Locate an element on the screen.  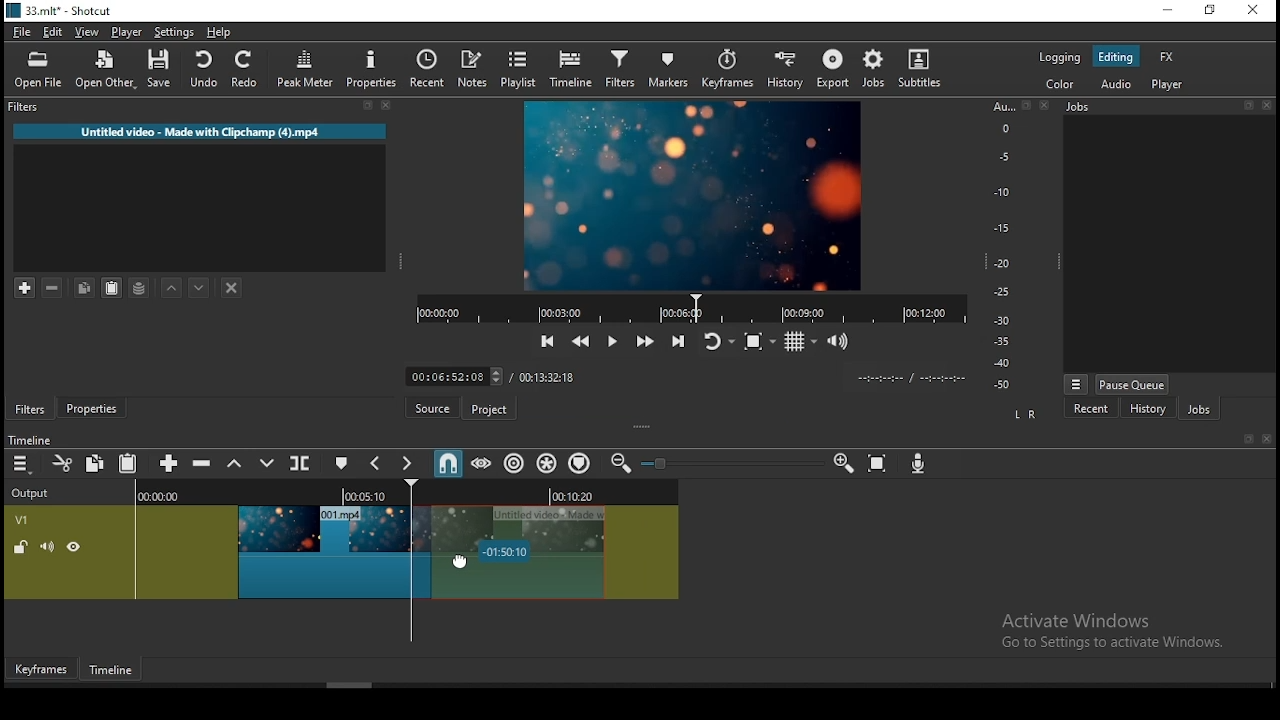
undo is located at coordinates (206, 70).